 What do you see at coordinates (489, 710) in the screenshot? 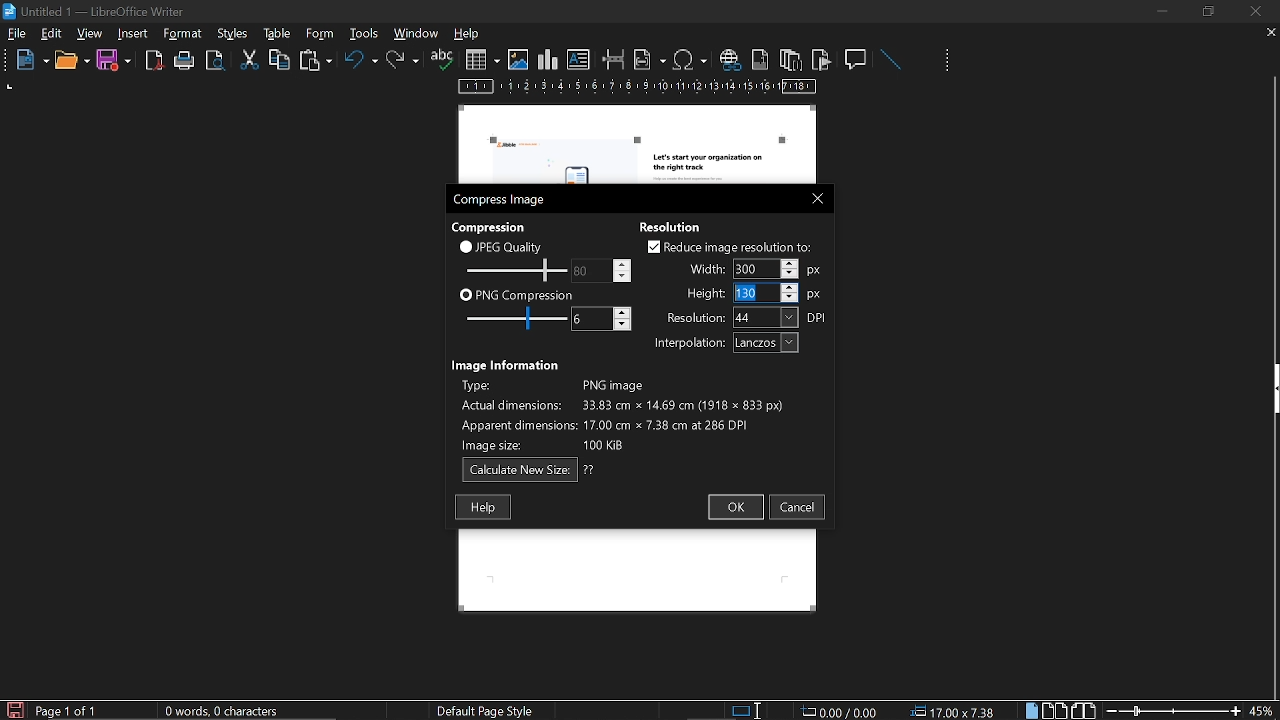
I see `page style` at bounding box center [489, 710].